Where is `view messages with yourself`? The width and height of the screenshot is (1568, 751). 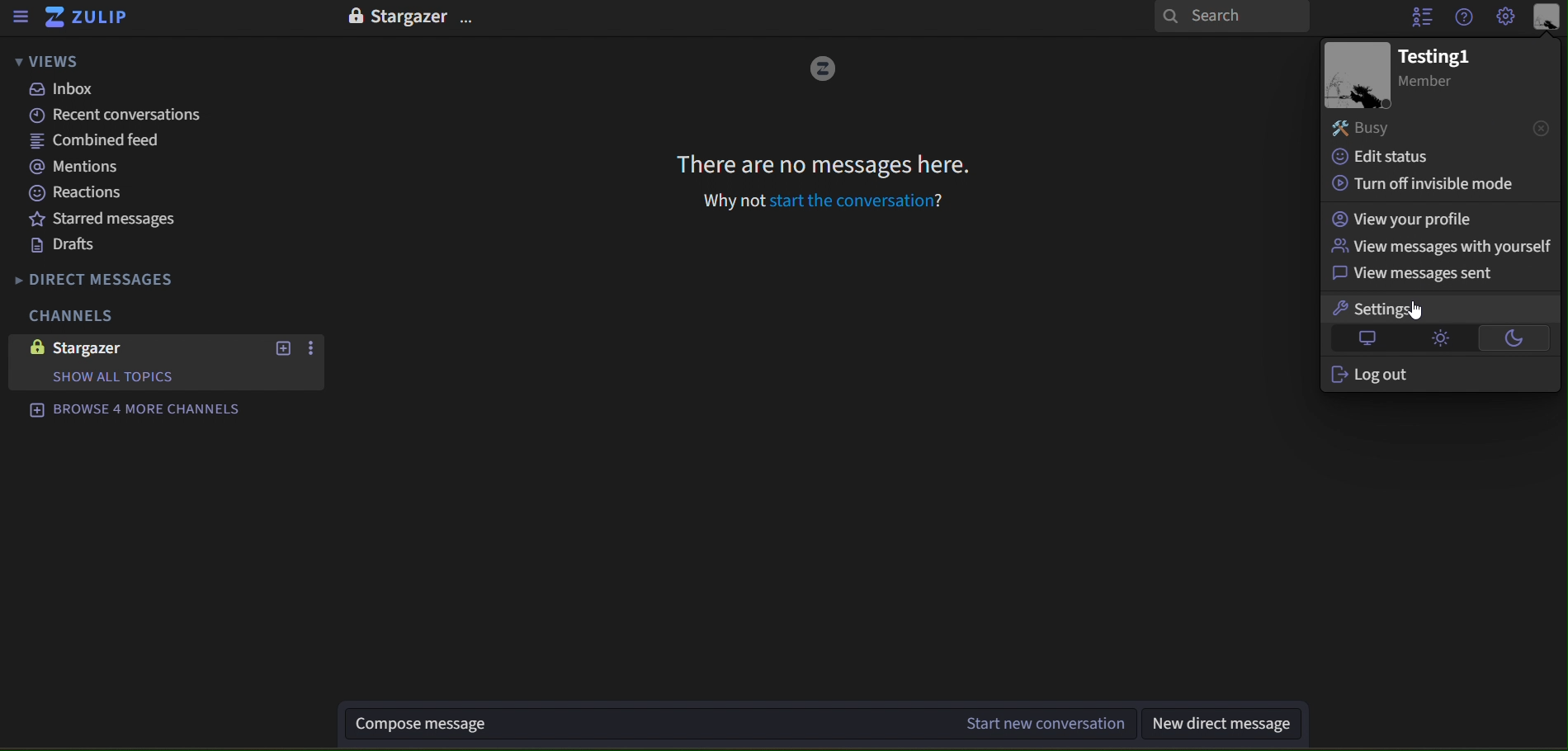
view messages with yourself is located at coordinates (1436, 247).